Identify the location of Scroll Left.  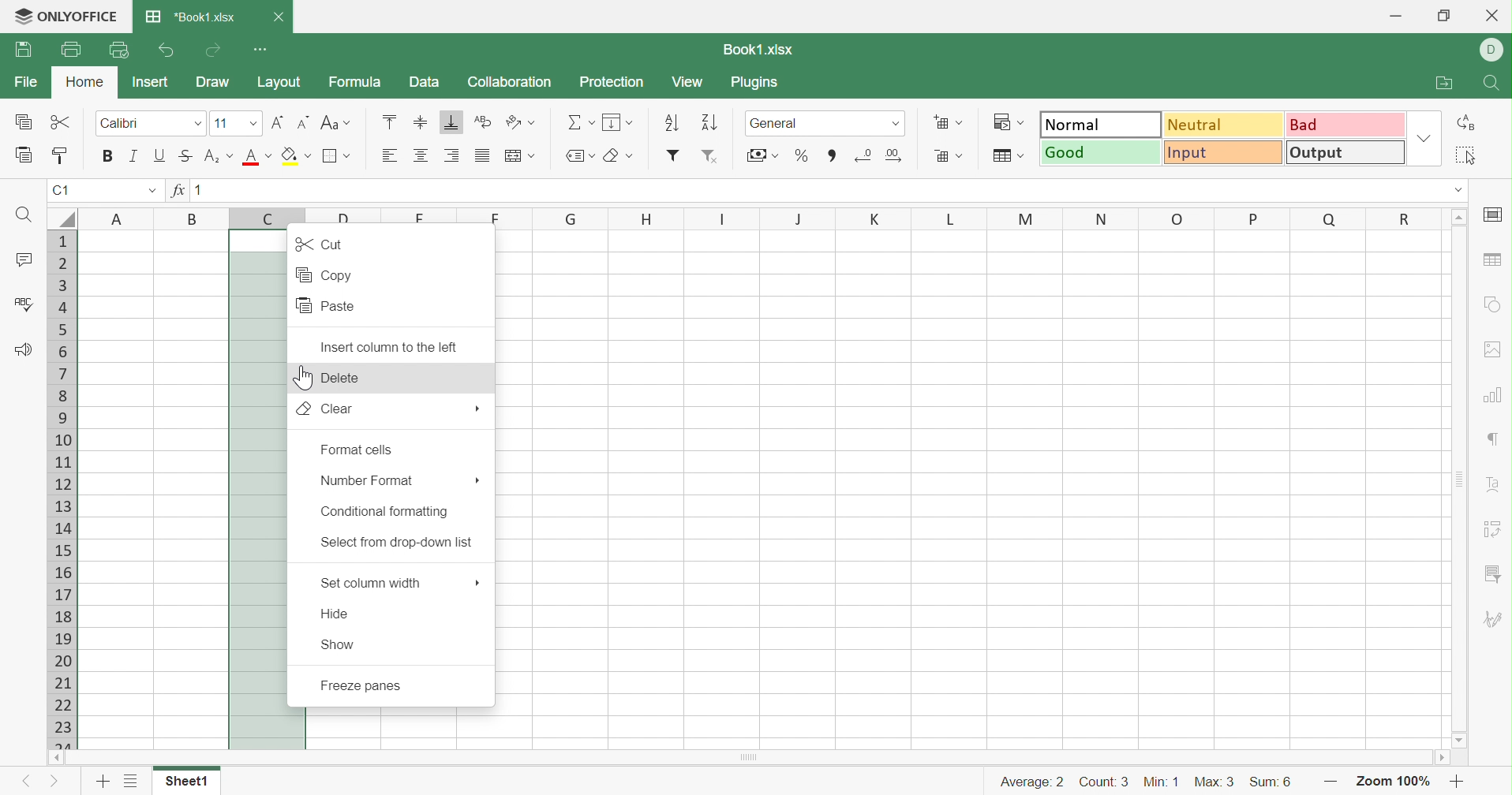
(56, 757).